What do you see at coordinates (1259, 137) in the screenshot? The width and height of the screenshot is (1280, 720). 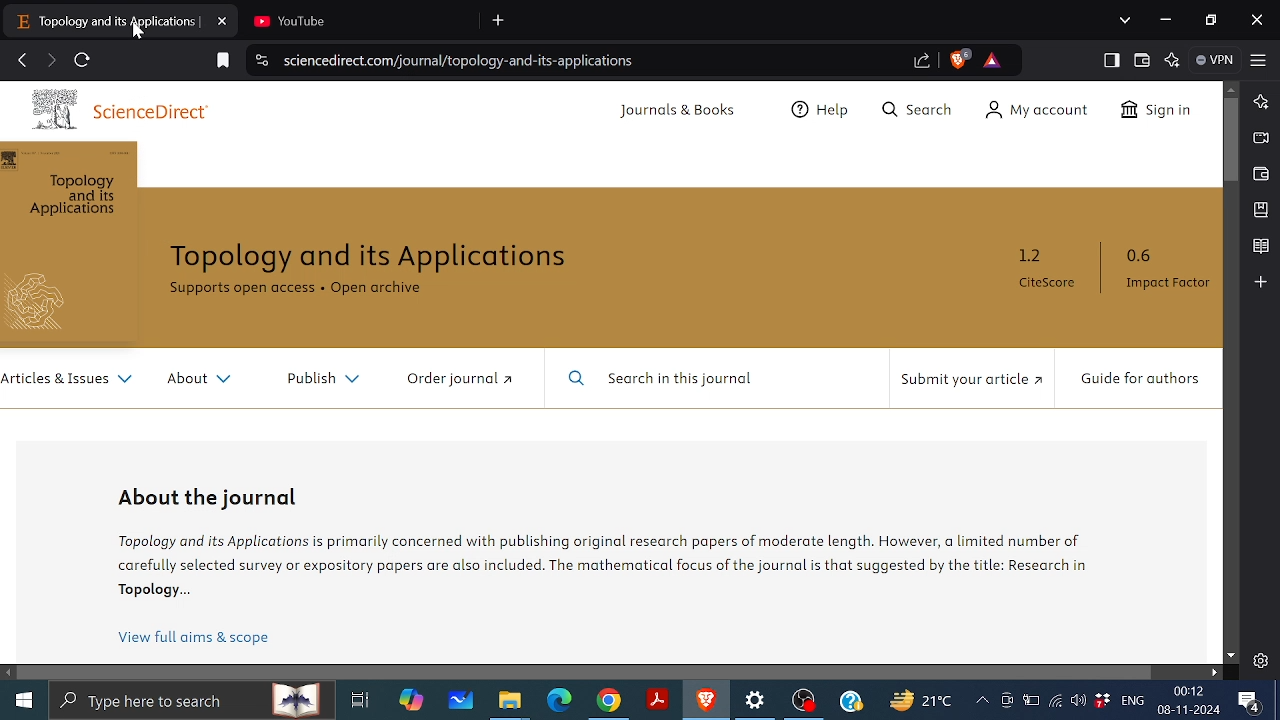 I see `Brave talk` at bounding box center [1259, 137].